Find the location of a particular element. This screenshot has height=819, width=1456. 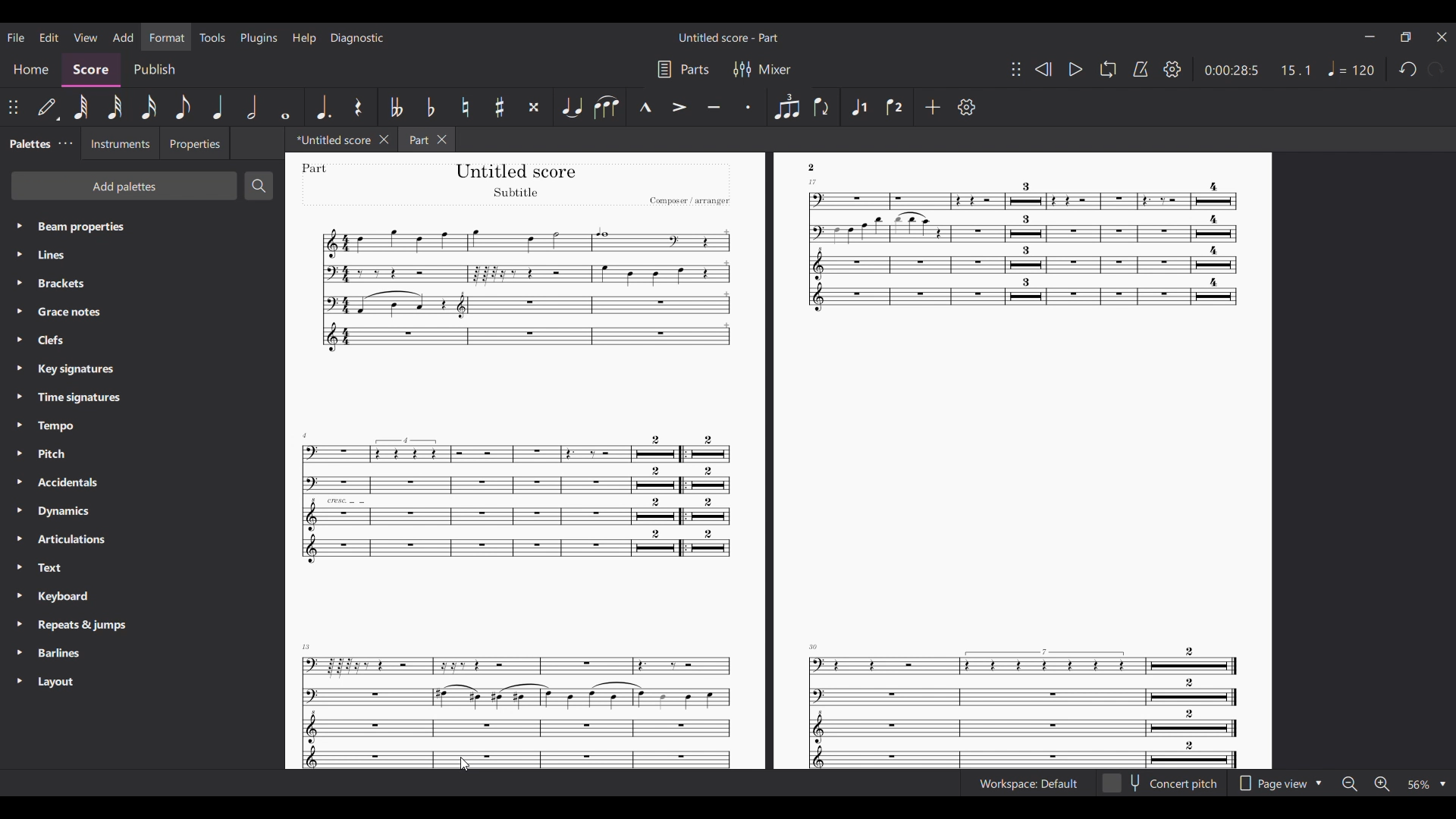

Augmentation dot is located at coordinates (322, 107).